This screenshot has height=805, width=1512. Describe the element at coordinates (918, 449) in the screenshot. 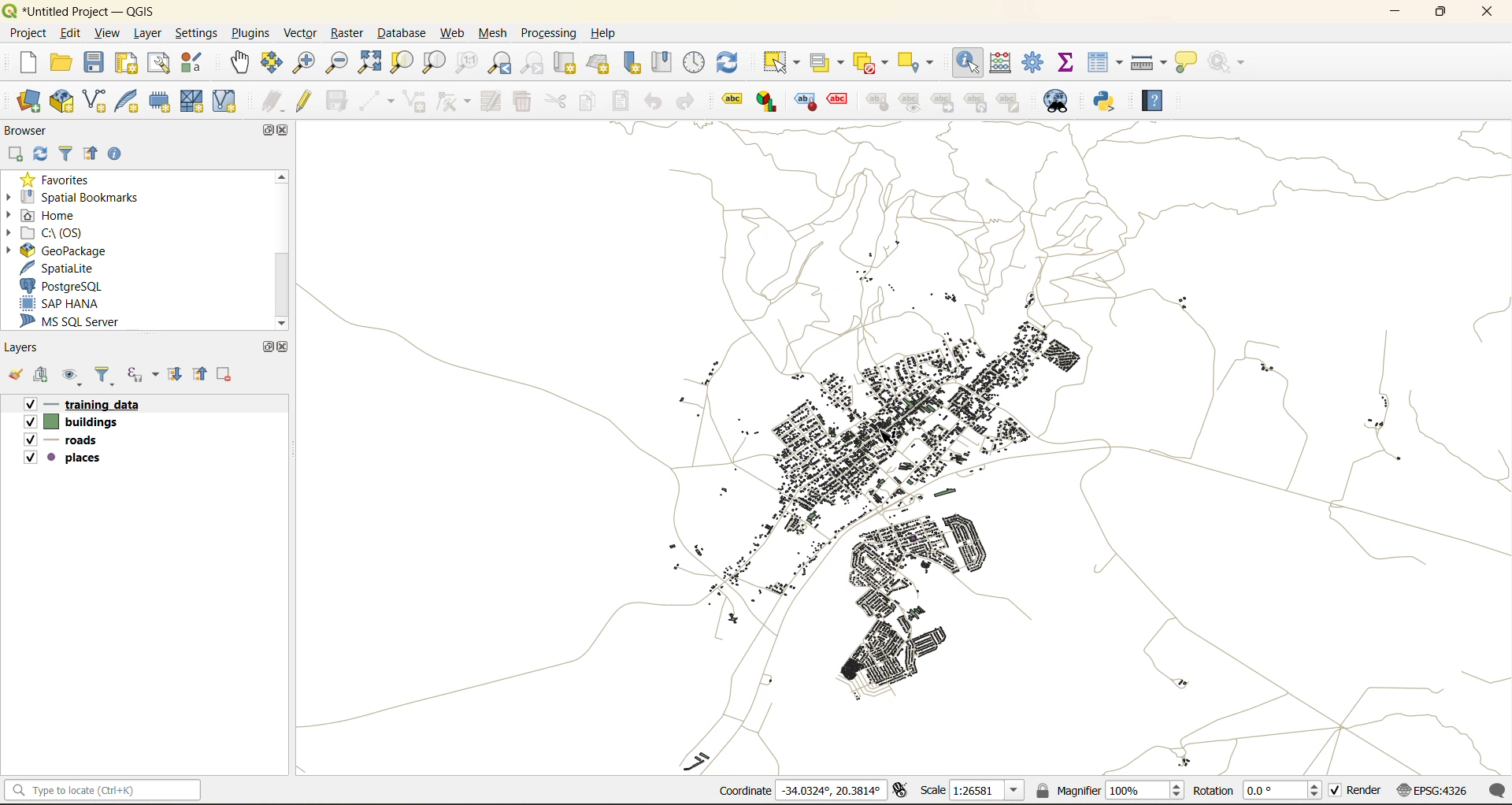

I see `layers` at that location.